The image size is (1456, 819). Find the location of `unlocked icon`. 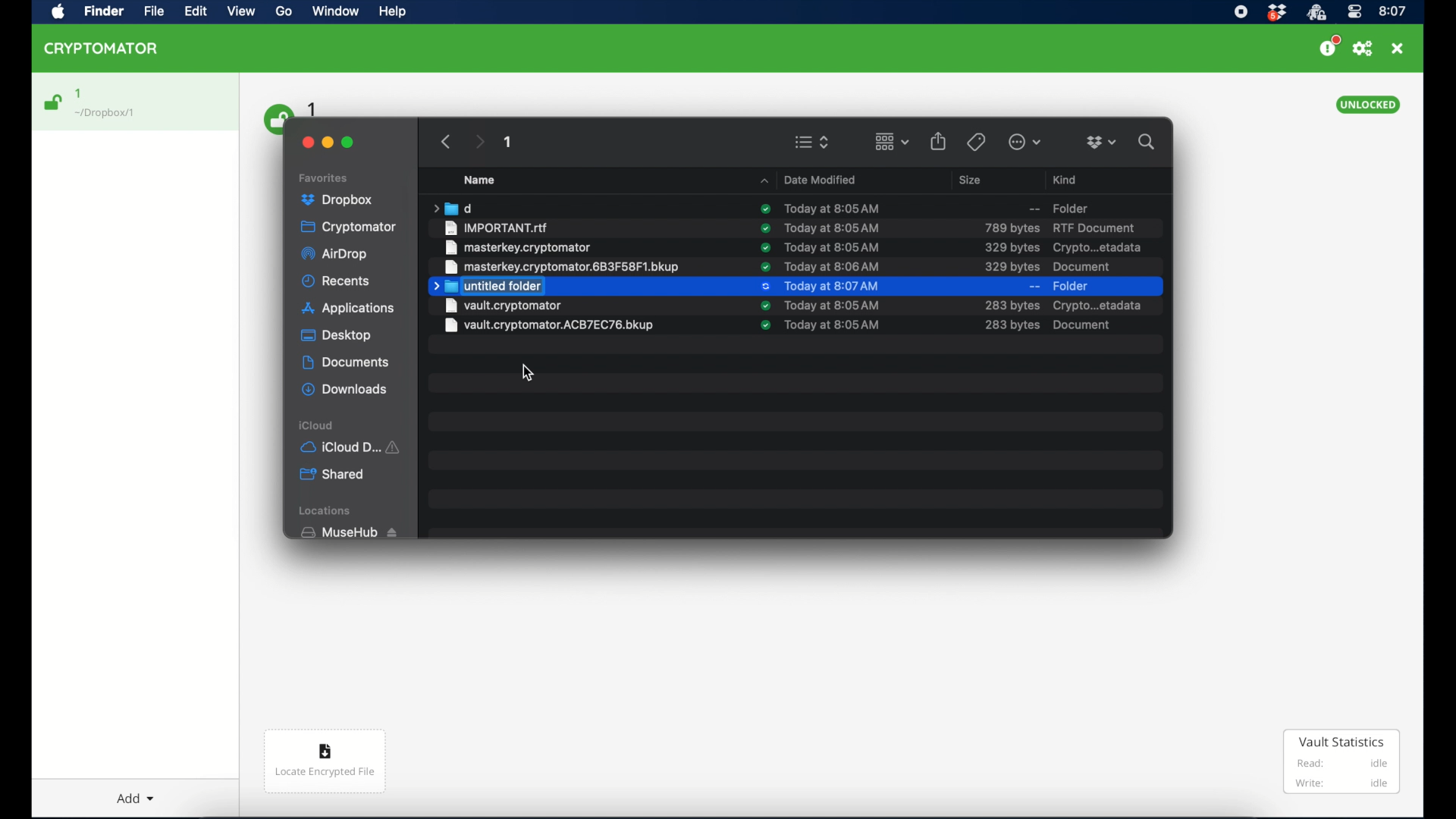

unlocked icon is located at coordinates (54, 102).